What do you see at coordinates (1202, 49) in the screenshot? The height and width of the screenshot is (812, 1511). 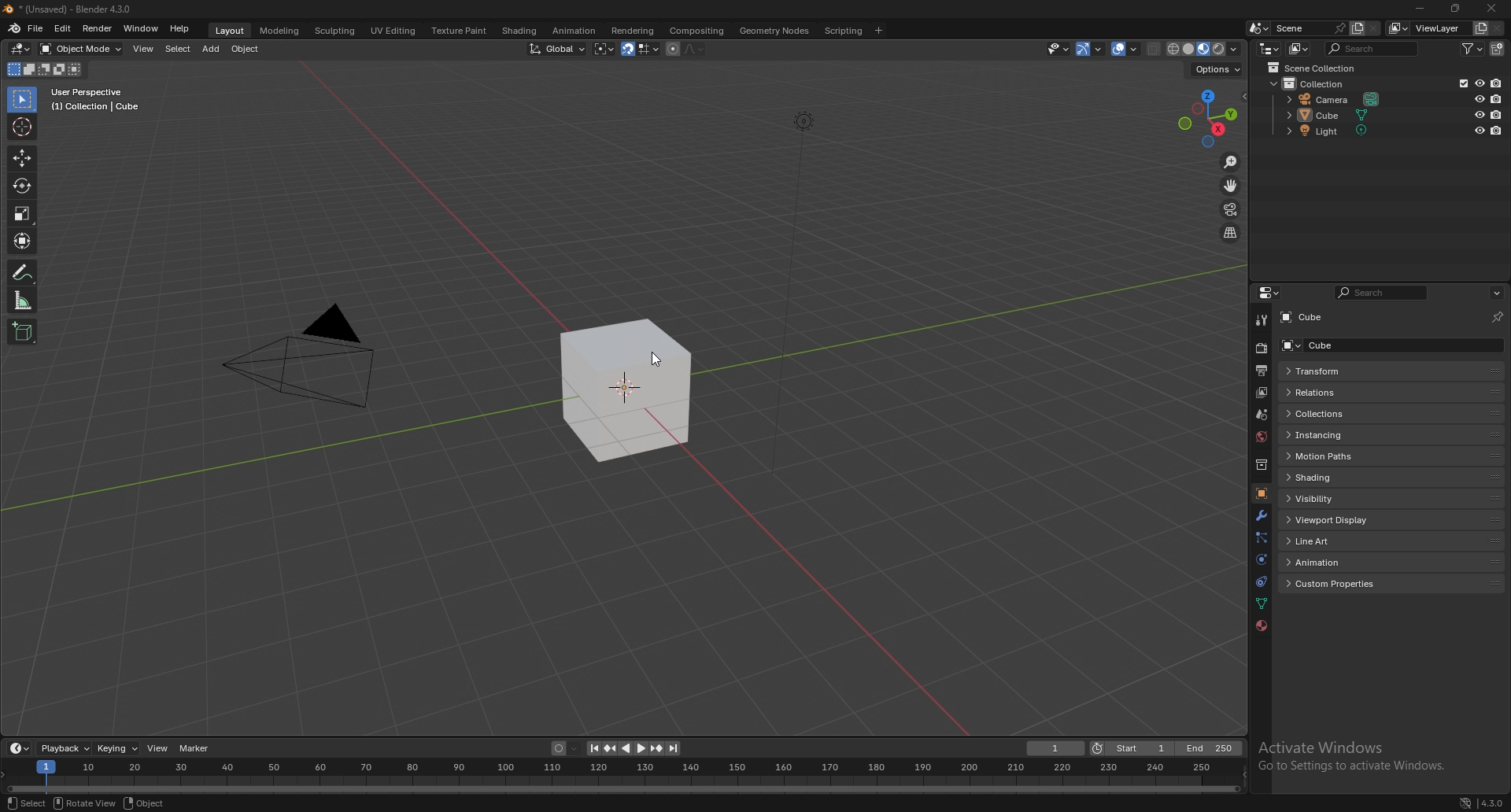 I see `viewport shading` at bounding box center [1202, 49].